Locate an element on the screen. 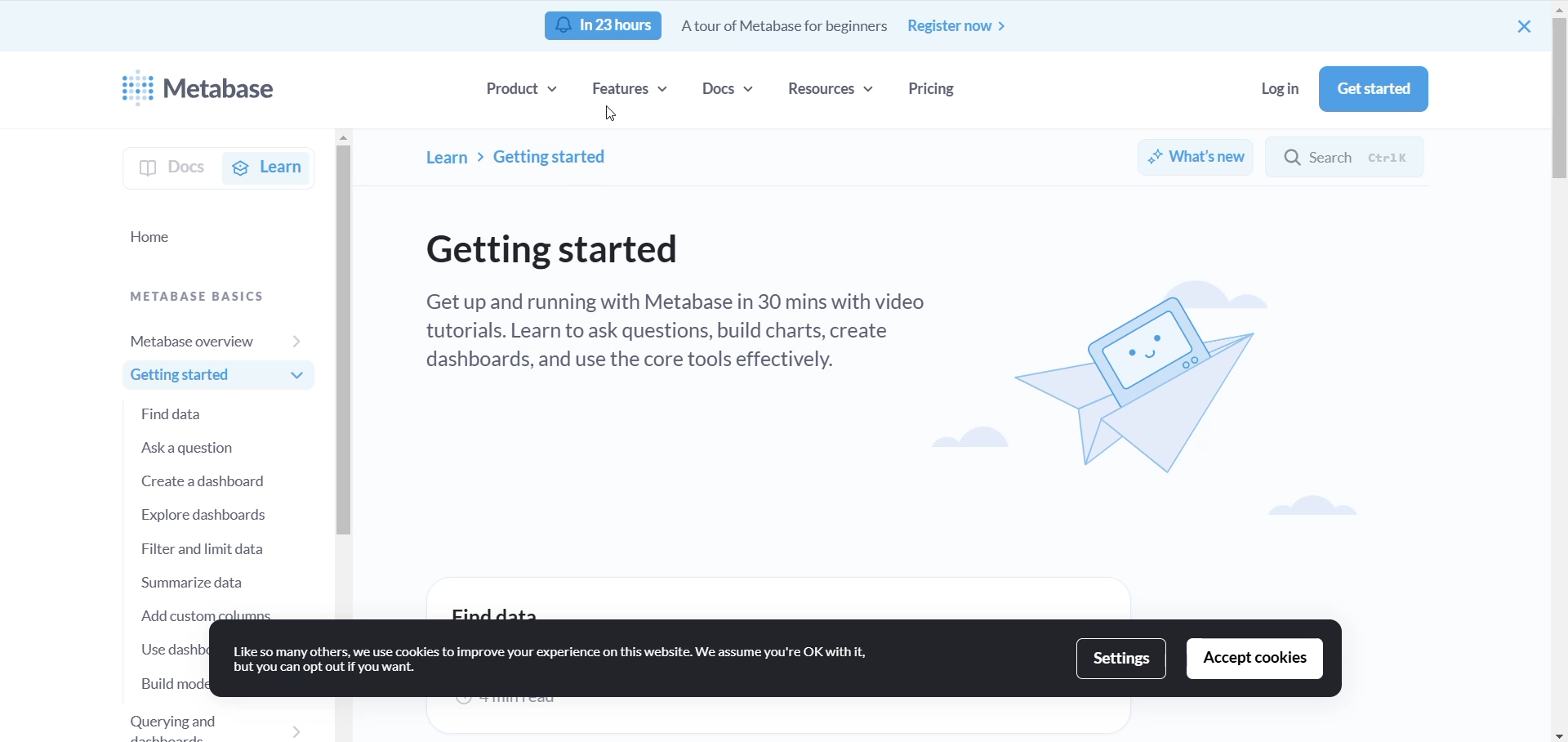  features is located at coordinates (631, 90).